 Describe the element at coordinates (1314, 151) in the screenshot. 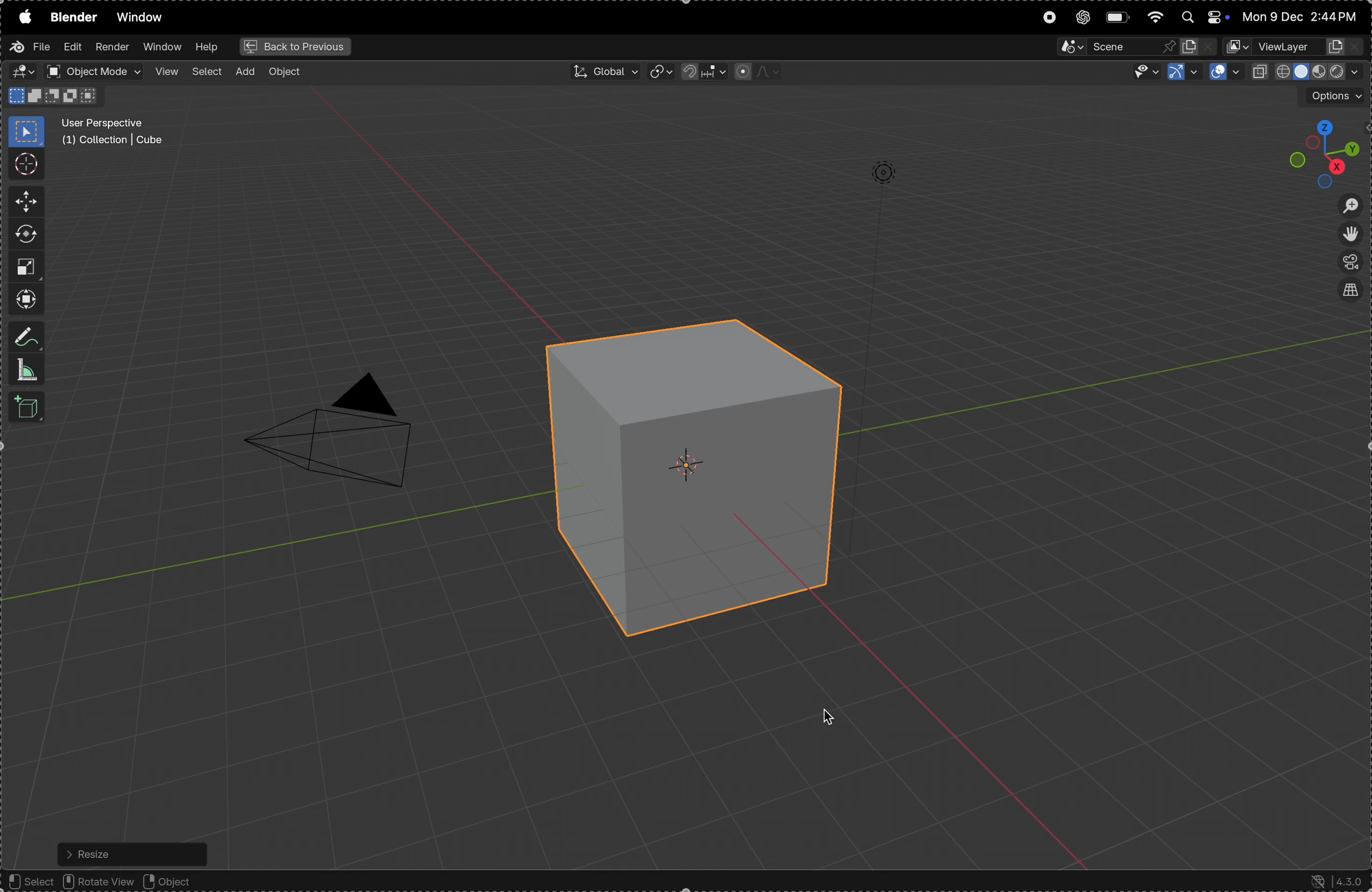

I see `view point` at that location.